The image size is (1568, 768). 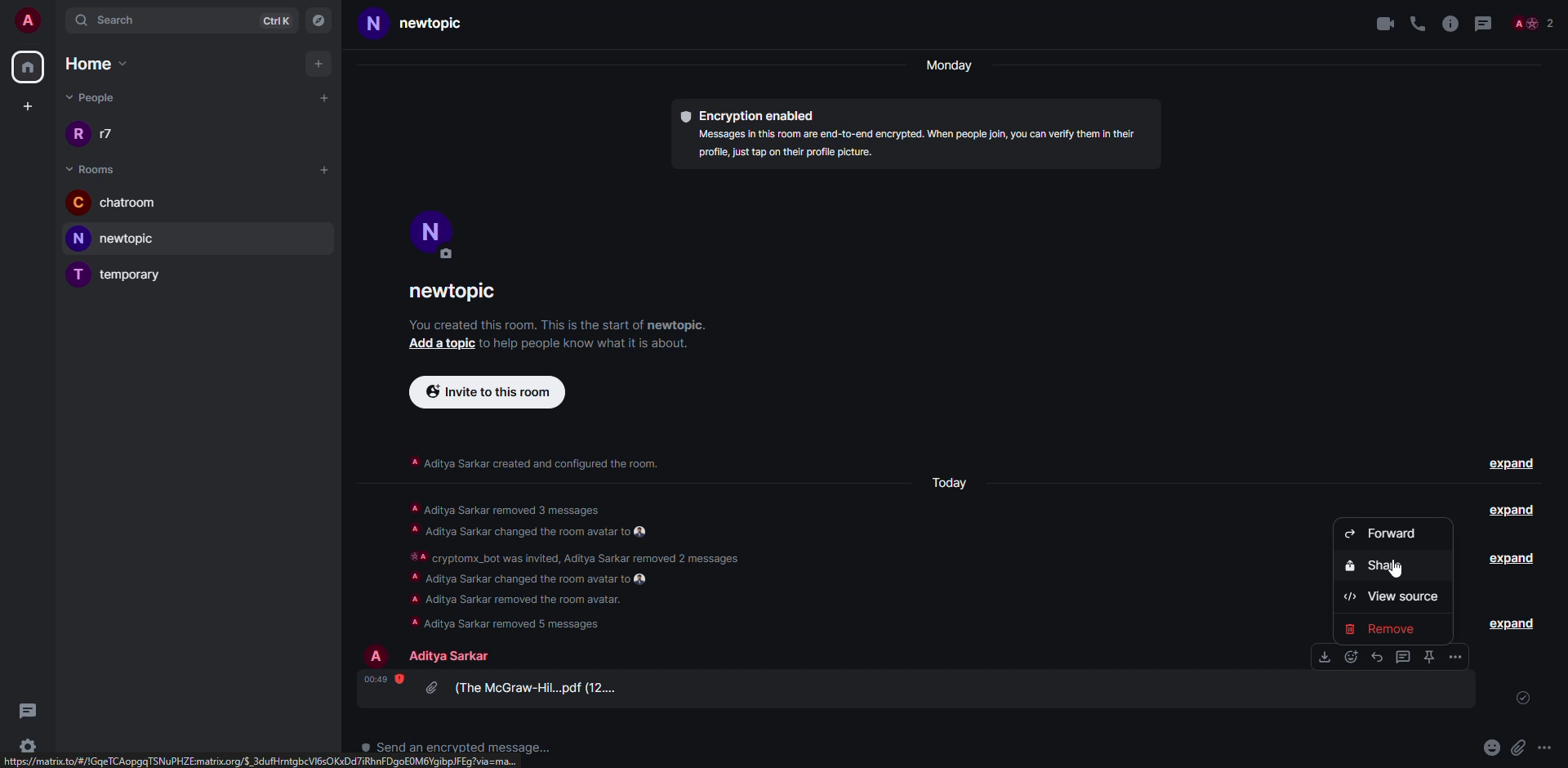 What do you see at coordinates (952, 482) in the screenshot?
I see `today` at bounding box center [952, 482].